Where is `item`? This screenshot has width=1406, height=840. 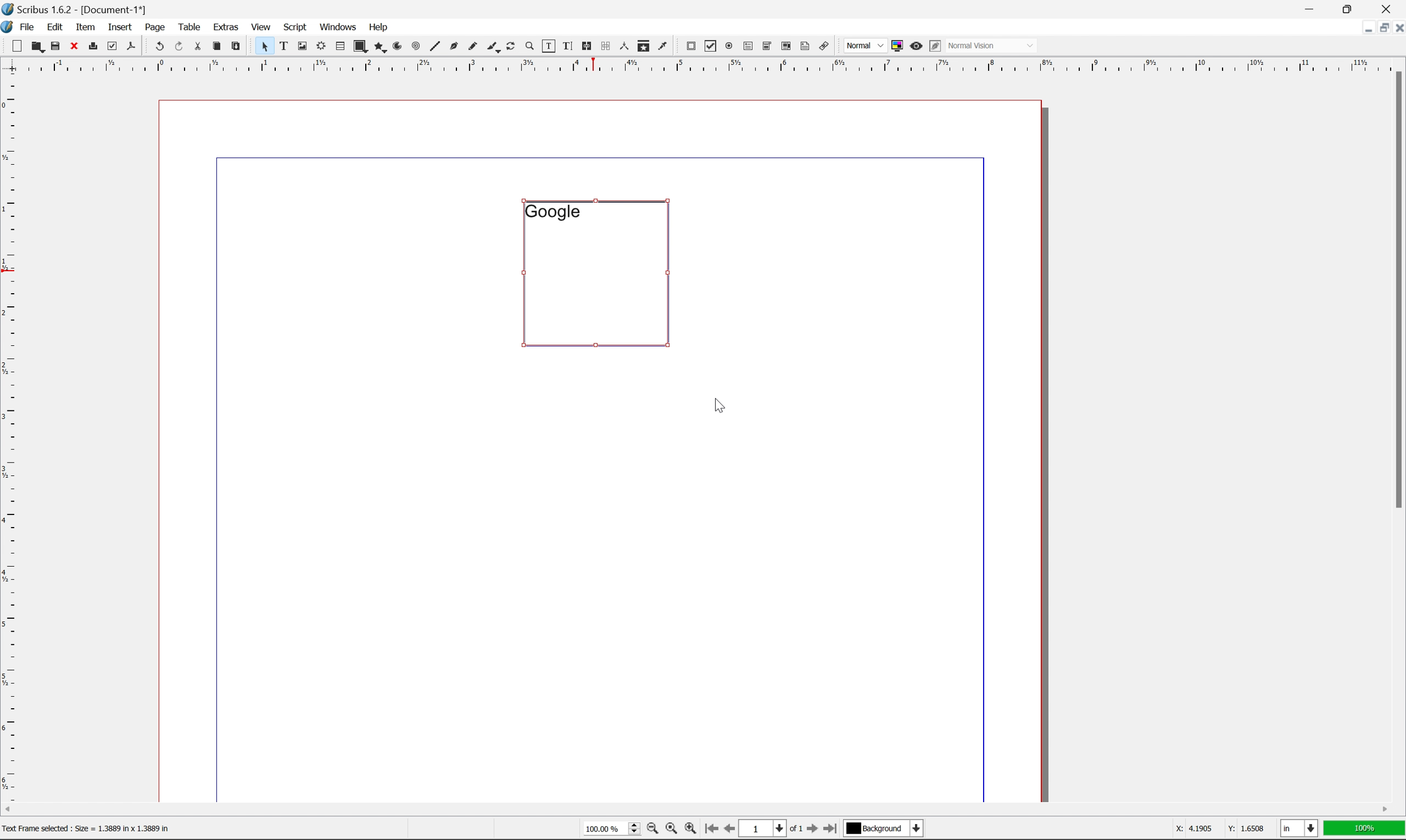 item is located at coordinates (88, 25).